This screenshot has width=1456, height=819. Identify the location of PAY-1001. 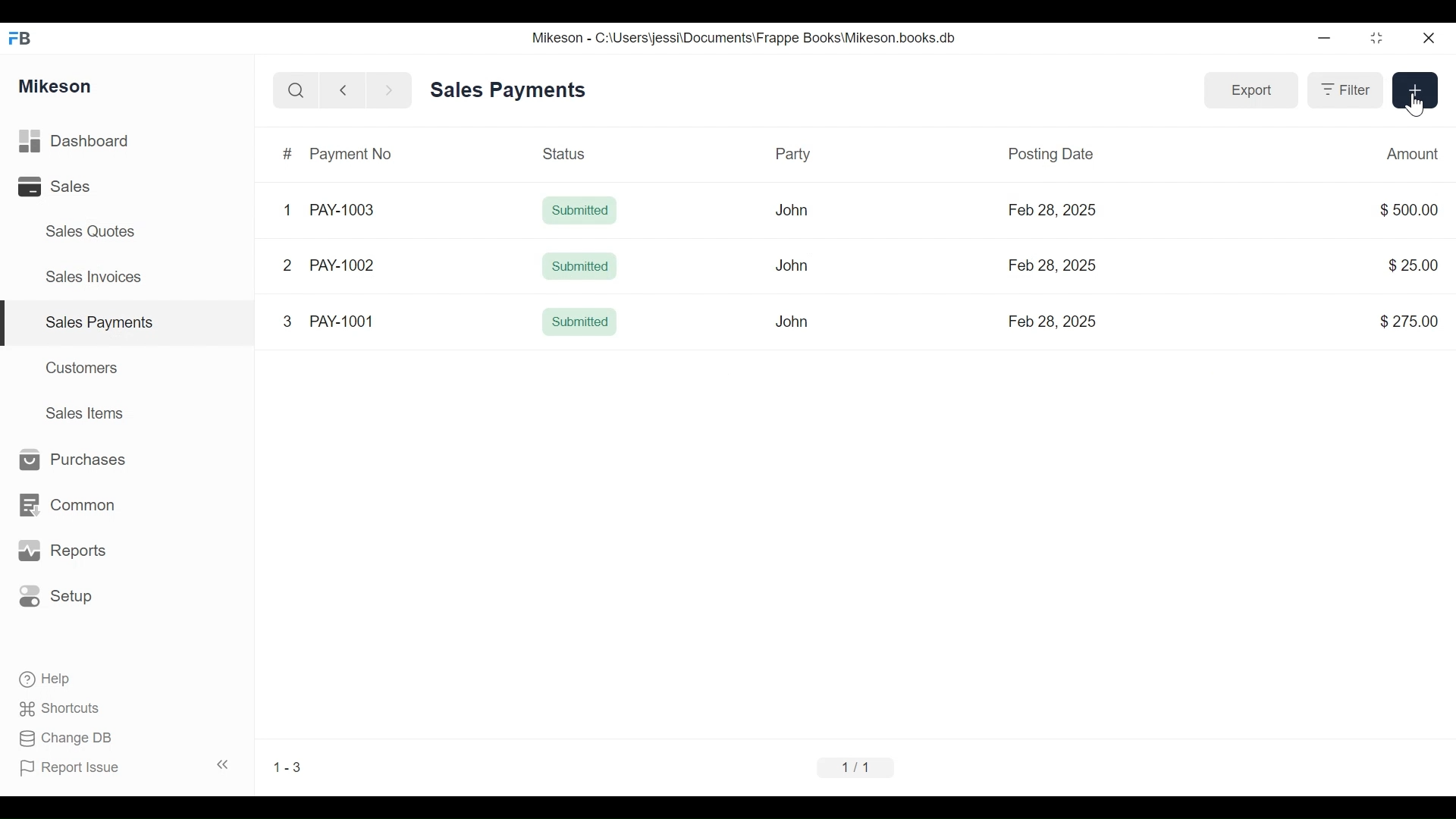
(341, 322).